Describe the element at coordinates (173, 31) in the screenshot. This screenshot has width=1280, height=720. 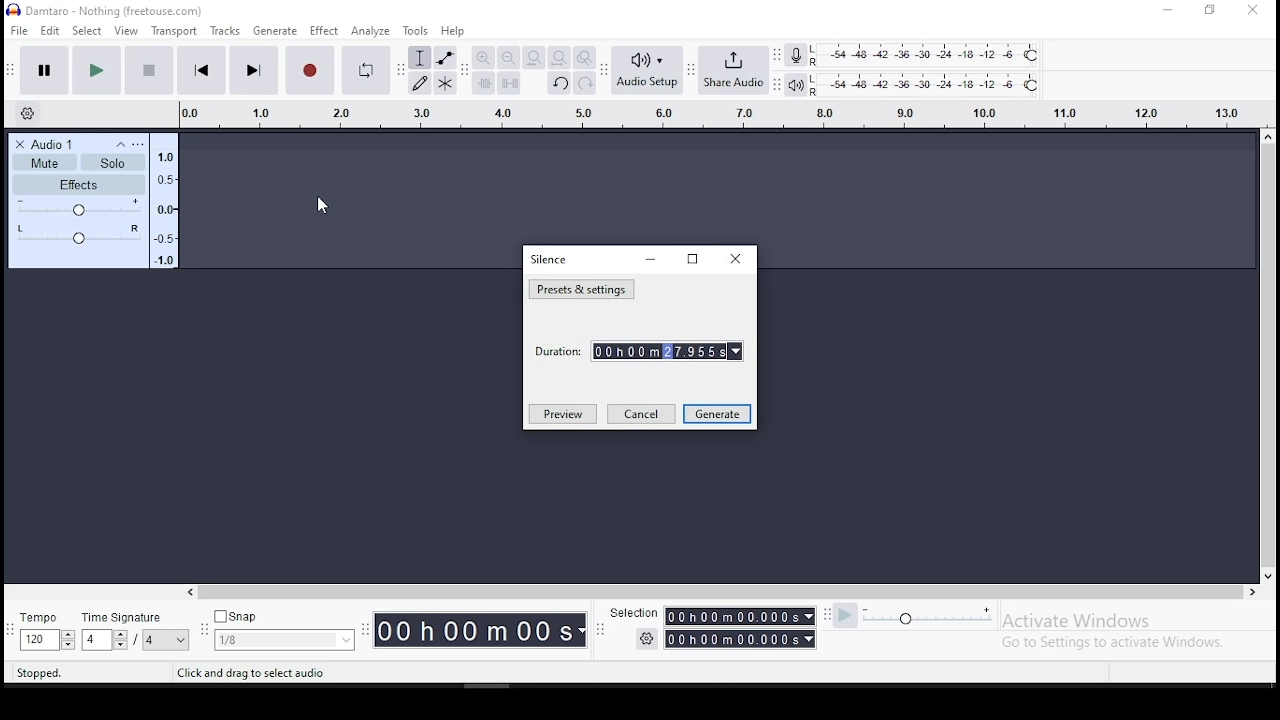
I see `transport` at that location.